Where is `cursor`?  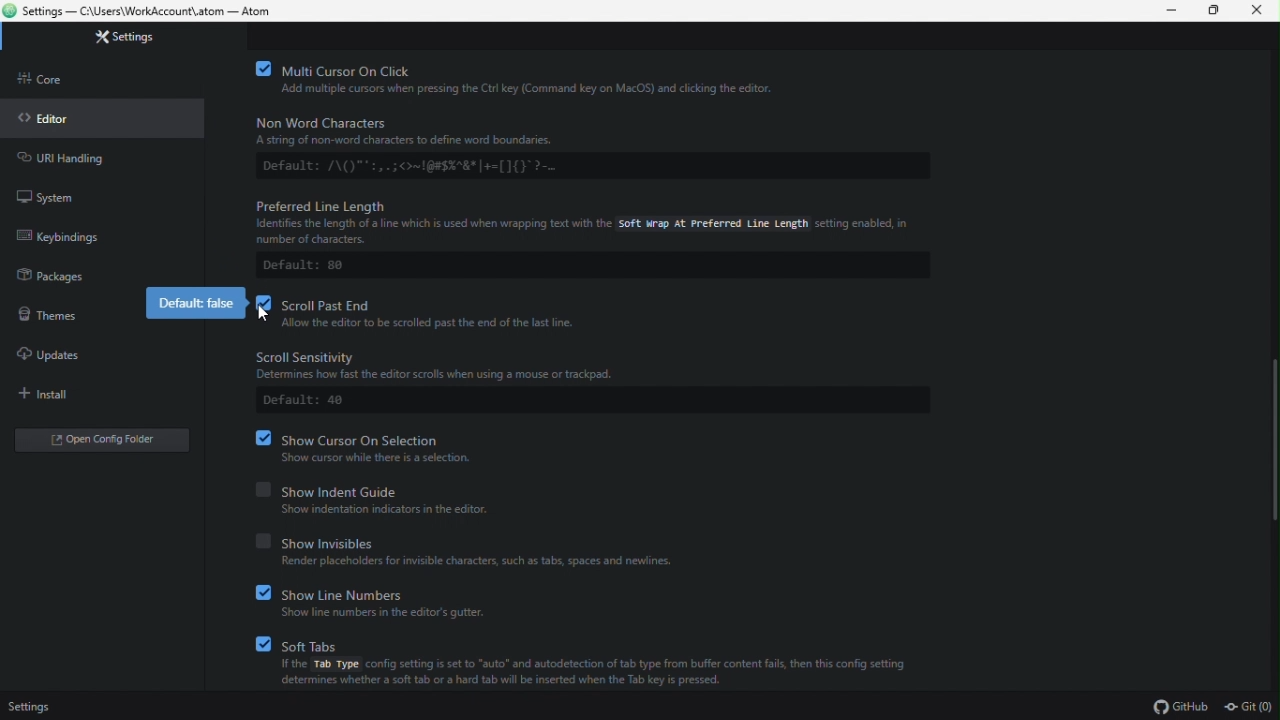
cursor is located at coordinates (259, 313).